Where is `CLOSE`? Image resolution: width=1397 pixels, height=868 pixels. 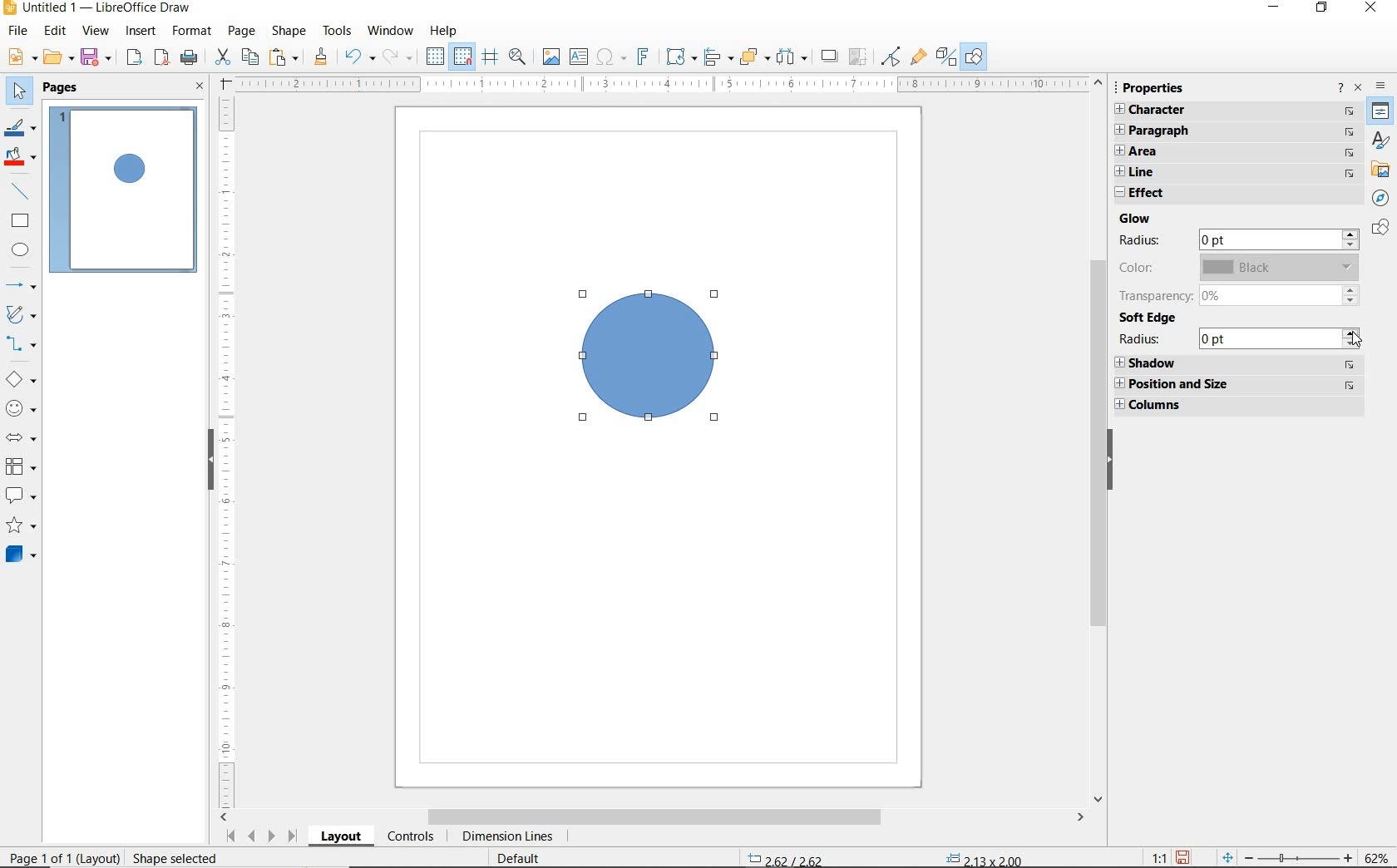
CLOSE is located at coordinates (1371, 10).